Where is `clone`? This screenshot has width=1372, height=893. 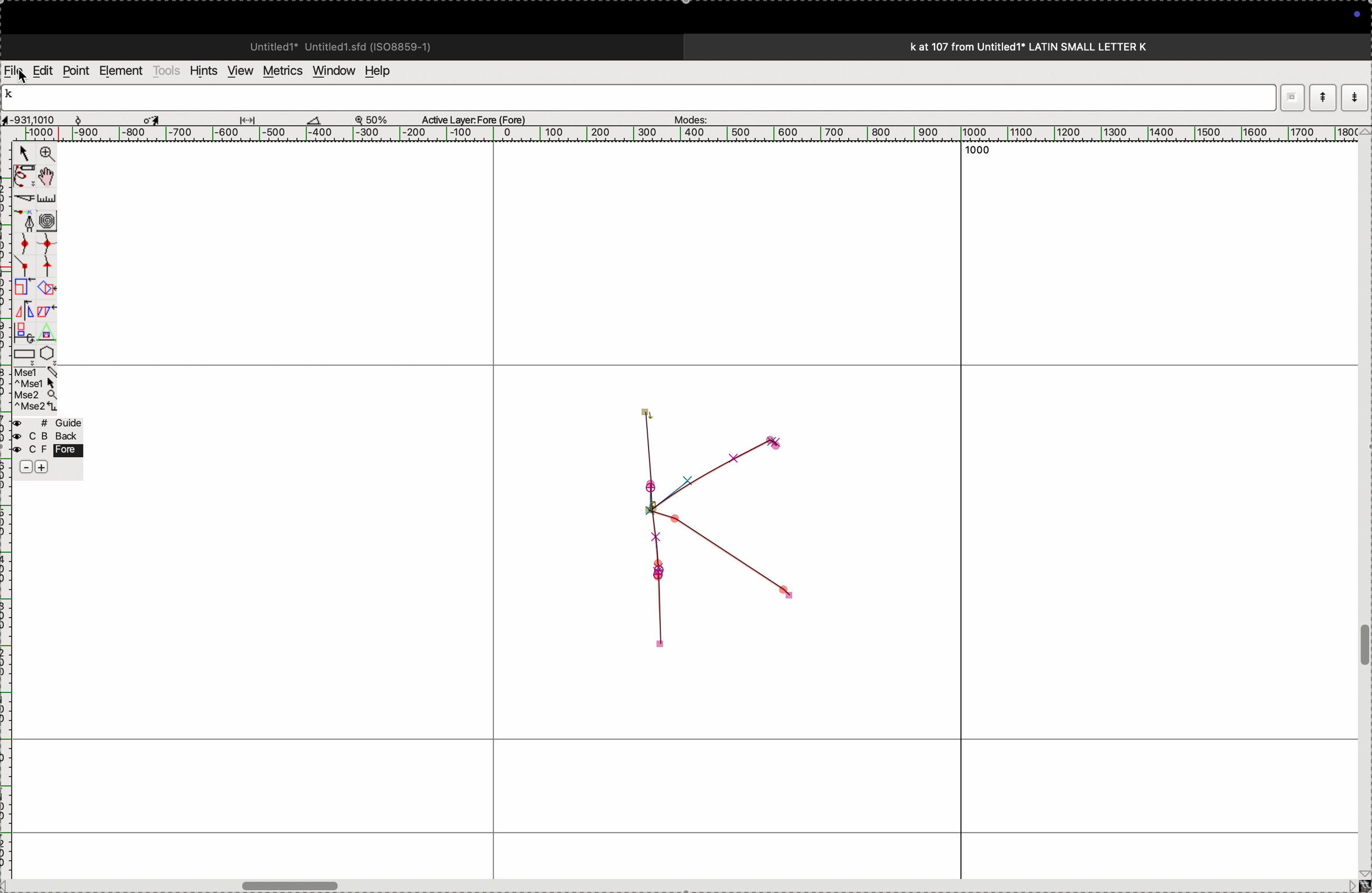
clone is located at coordinates (22, 288).